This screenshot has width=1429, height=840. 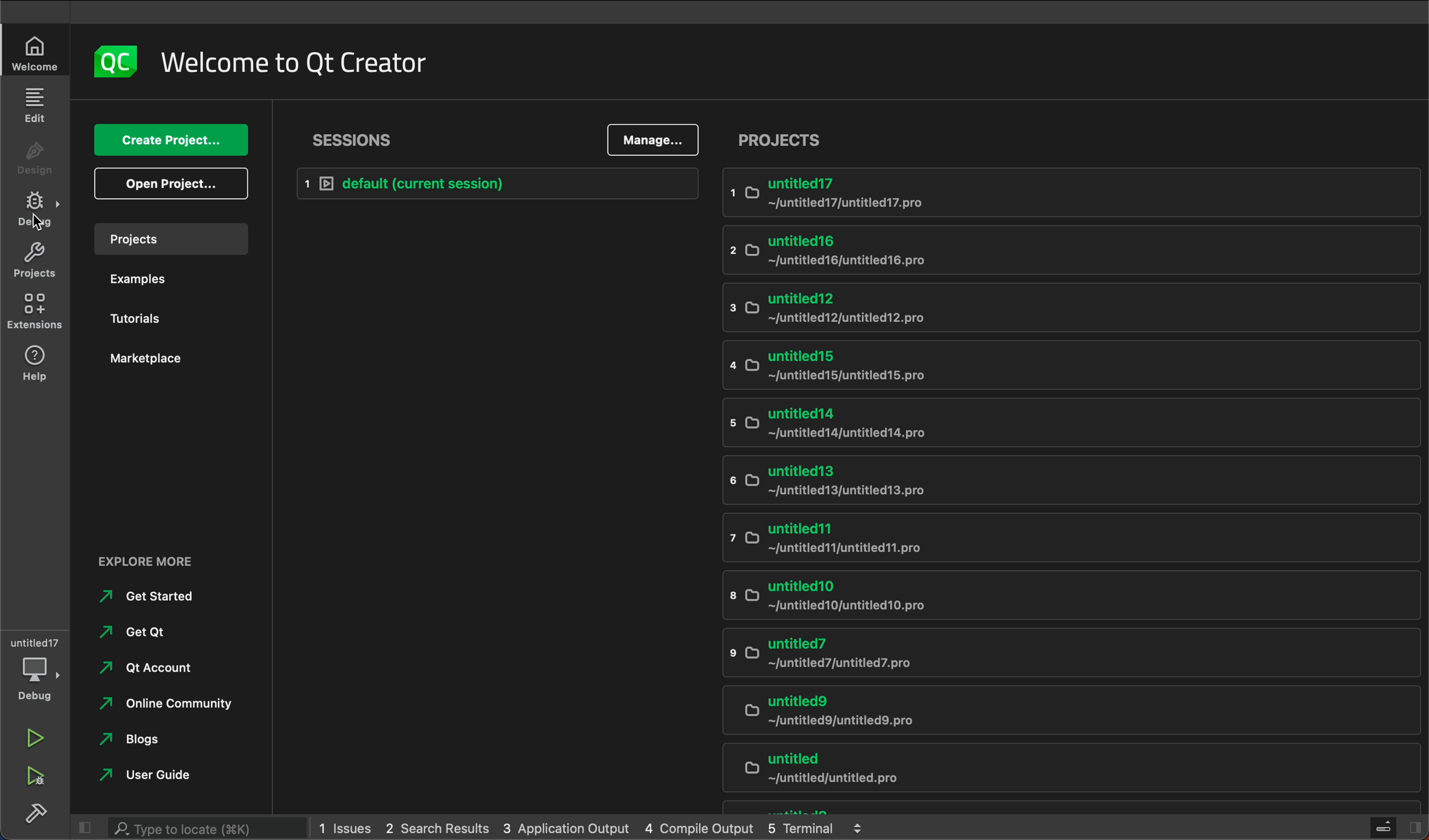 What do you see at coordinates (39, 211) in the screenshot?
I see `DEBUG` at bounding box center [39, 211].